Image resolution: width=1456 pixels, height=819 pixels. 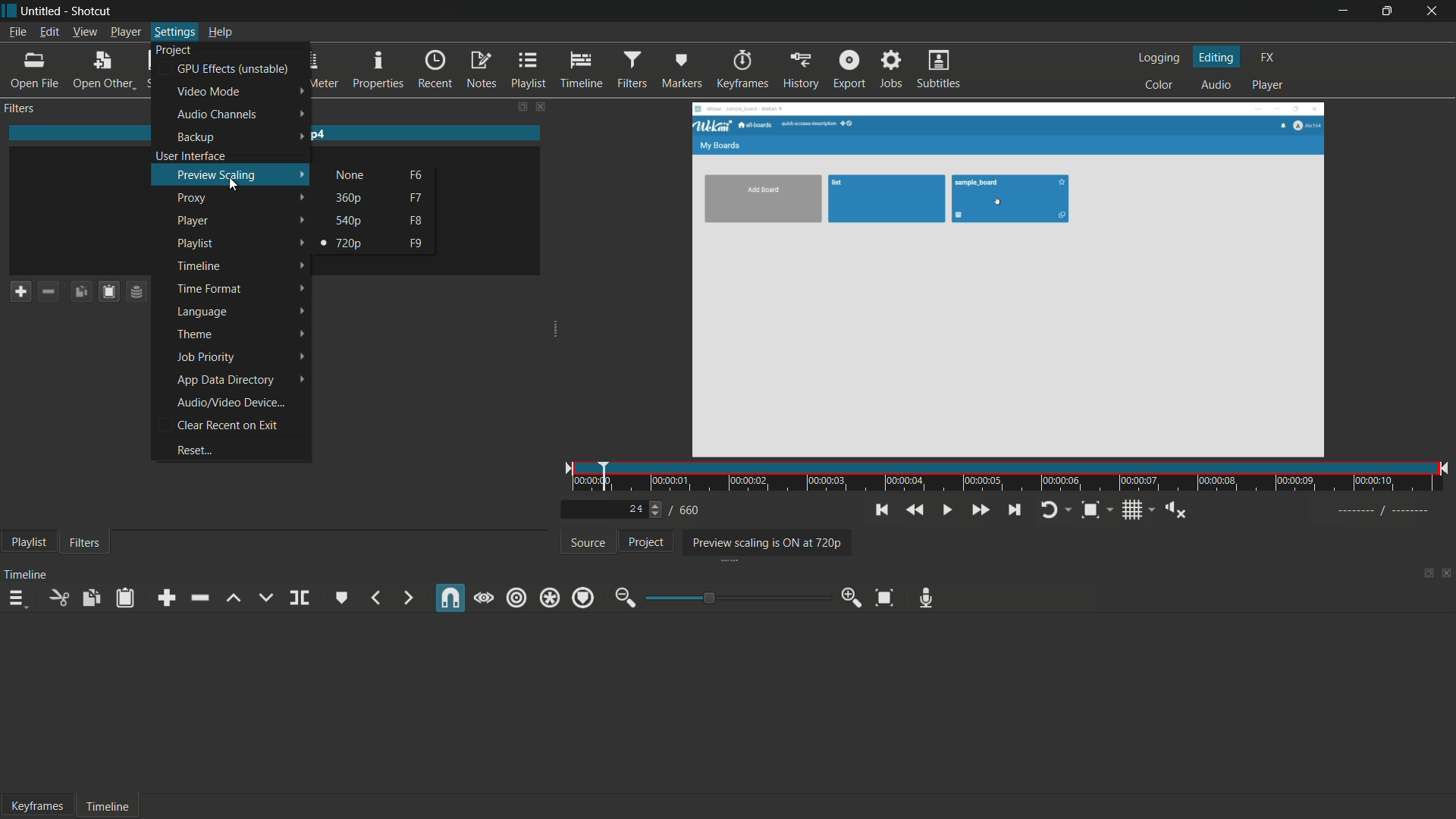 What do you see at coordinates (174, 49) in the screenshot?
I see `project` at bounding box center [174, 49].